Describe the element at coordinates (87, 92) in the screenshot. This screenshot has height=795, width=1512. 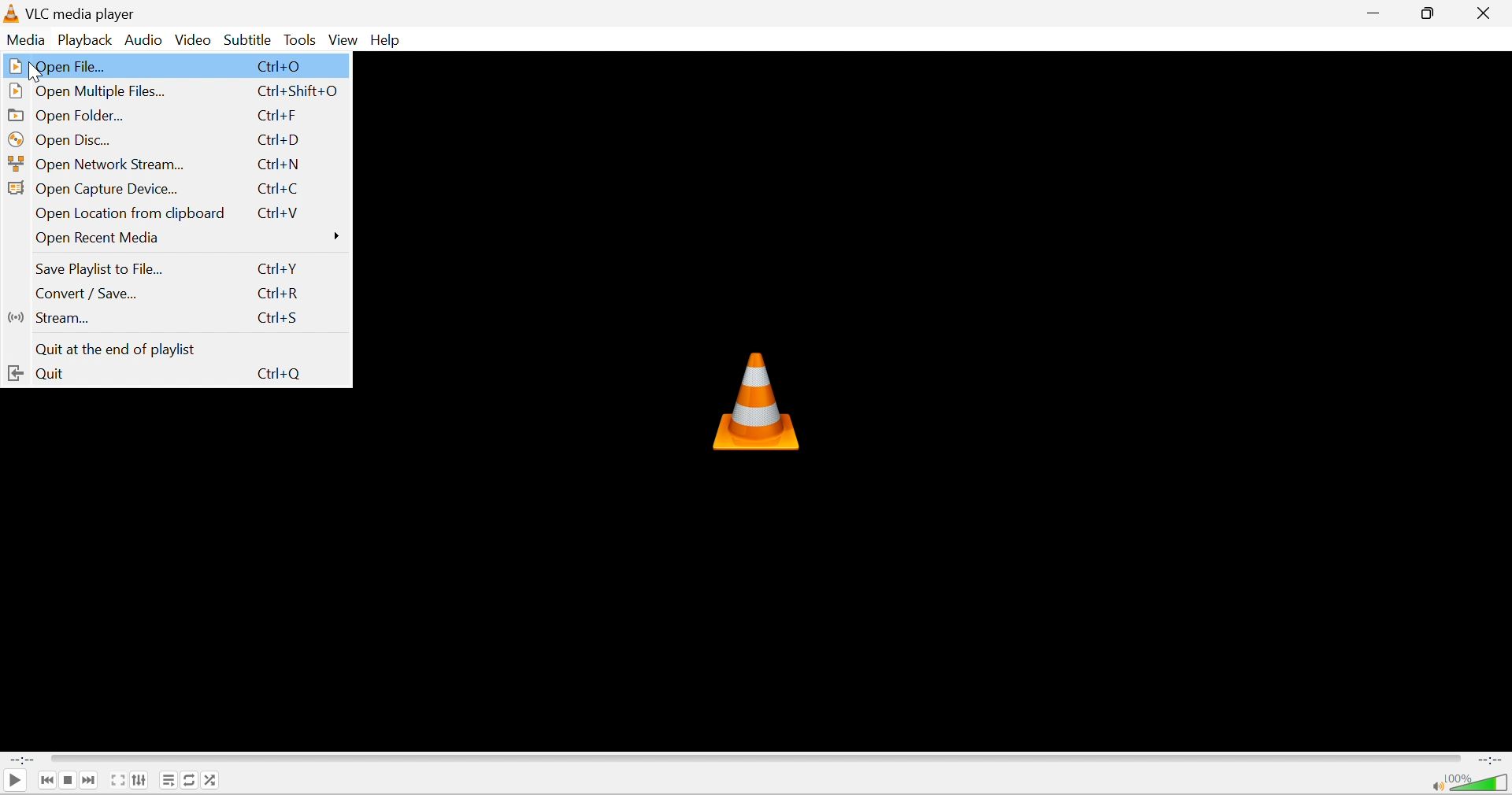
I see `Open Multiple Files` at that location.